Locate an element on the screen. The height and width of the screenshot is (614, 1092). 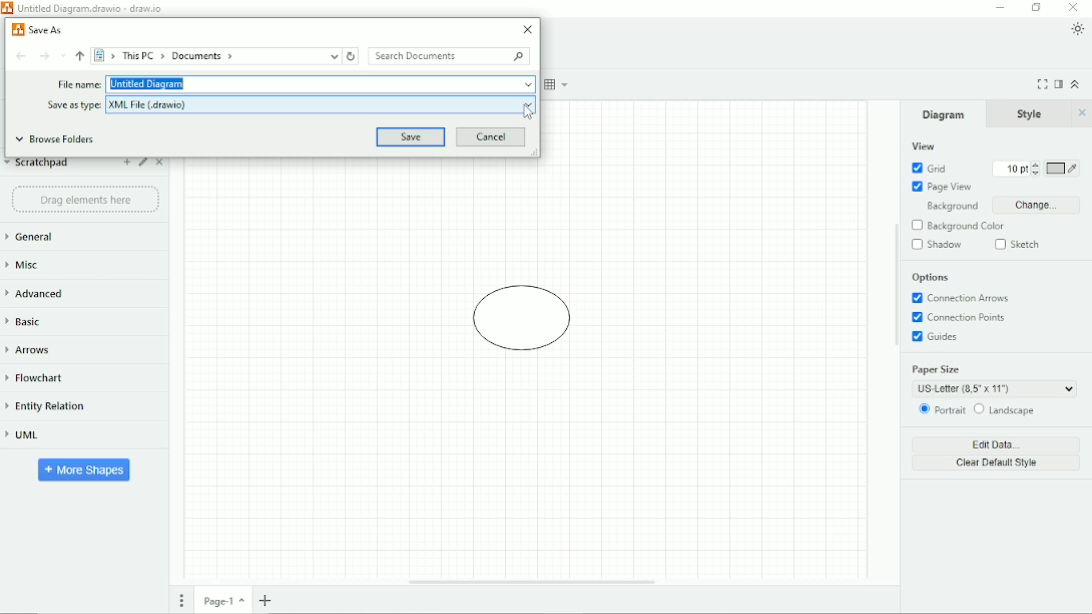
Background is located at coordinates (952, 206).